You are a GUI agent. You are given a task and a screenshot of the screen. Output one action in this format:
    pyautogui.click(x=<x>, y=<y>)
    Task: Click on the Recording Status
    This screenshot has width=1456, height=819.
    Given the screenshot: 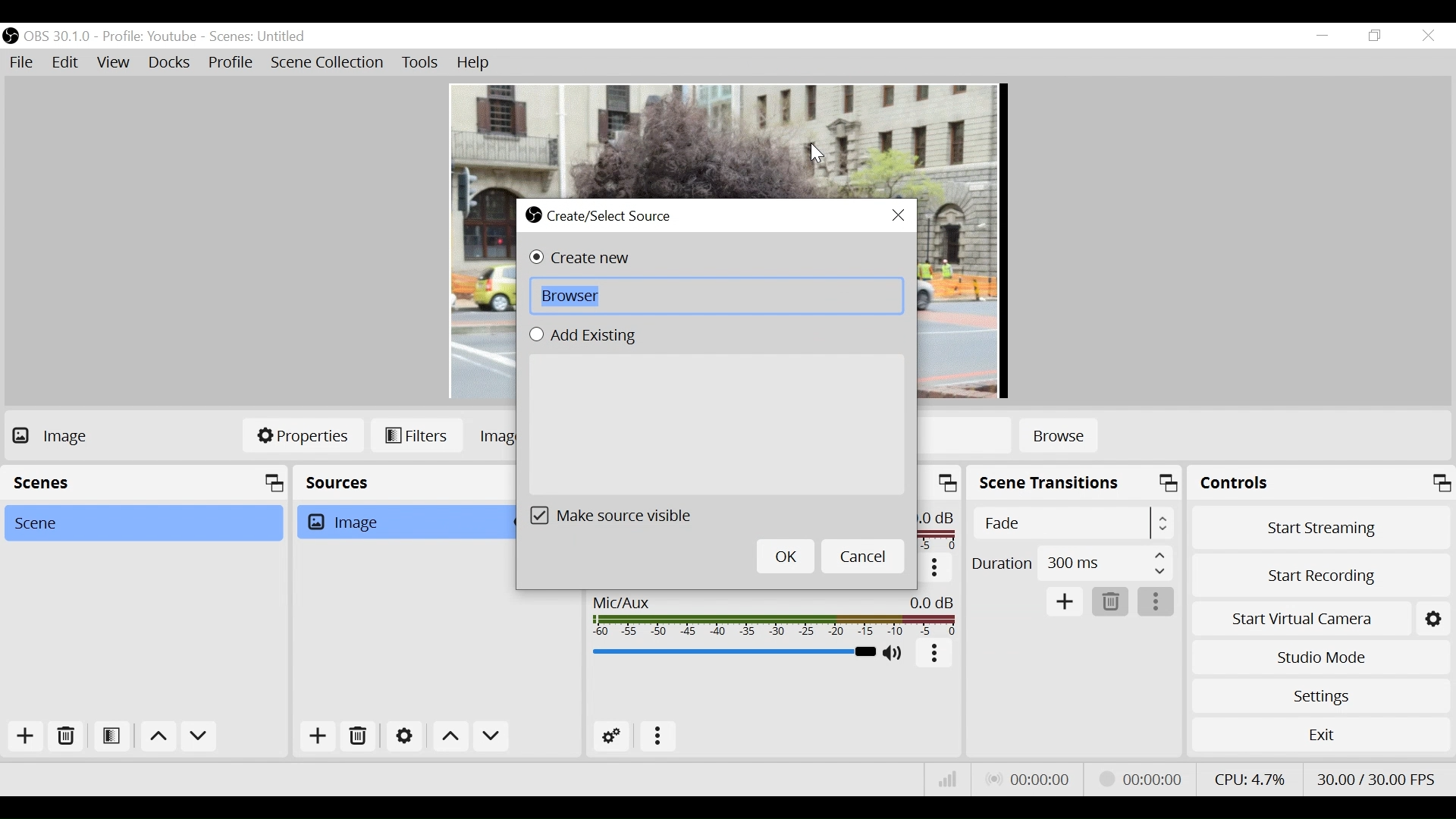 What is the action you would take?
    pyautogui.click(x=1141, y=779)
    